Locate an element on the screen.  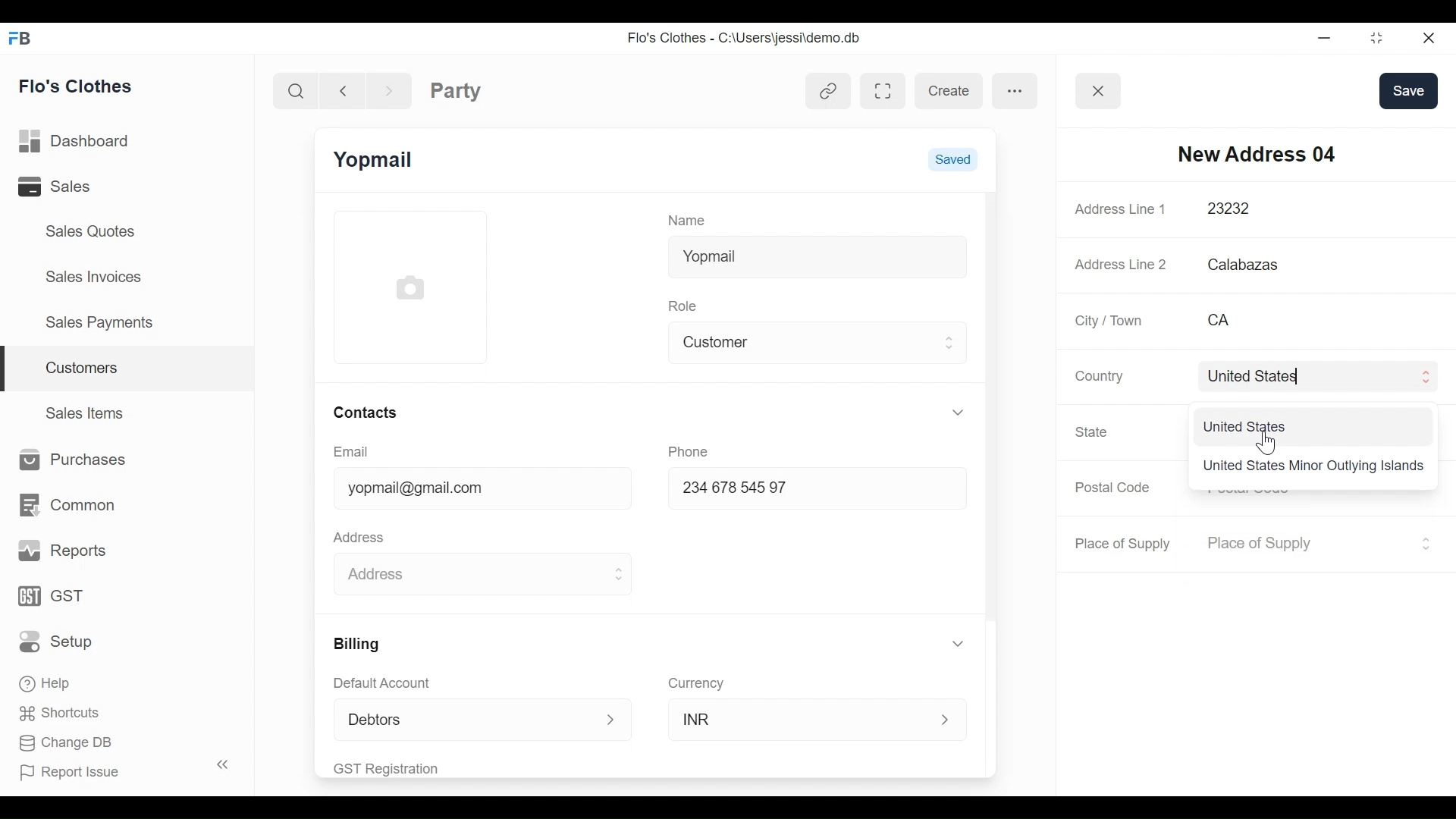
New Address 04 is located at coordinates (1257, 153).